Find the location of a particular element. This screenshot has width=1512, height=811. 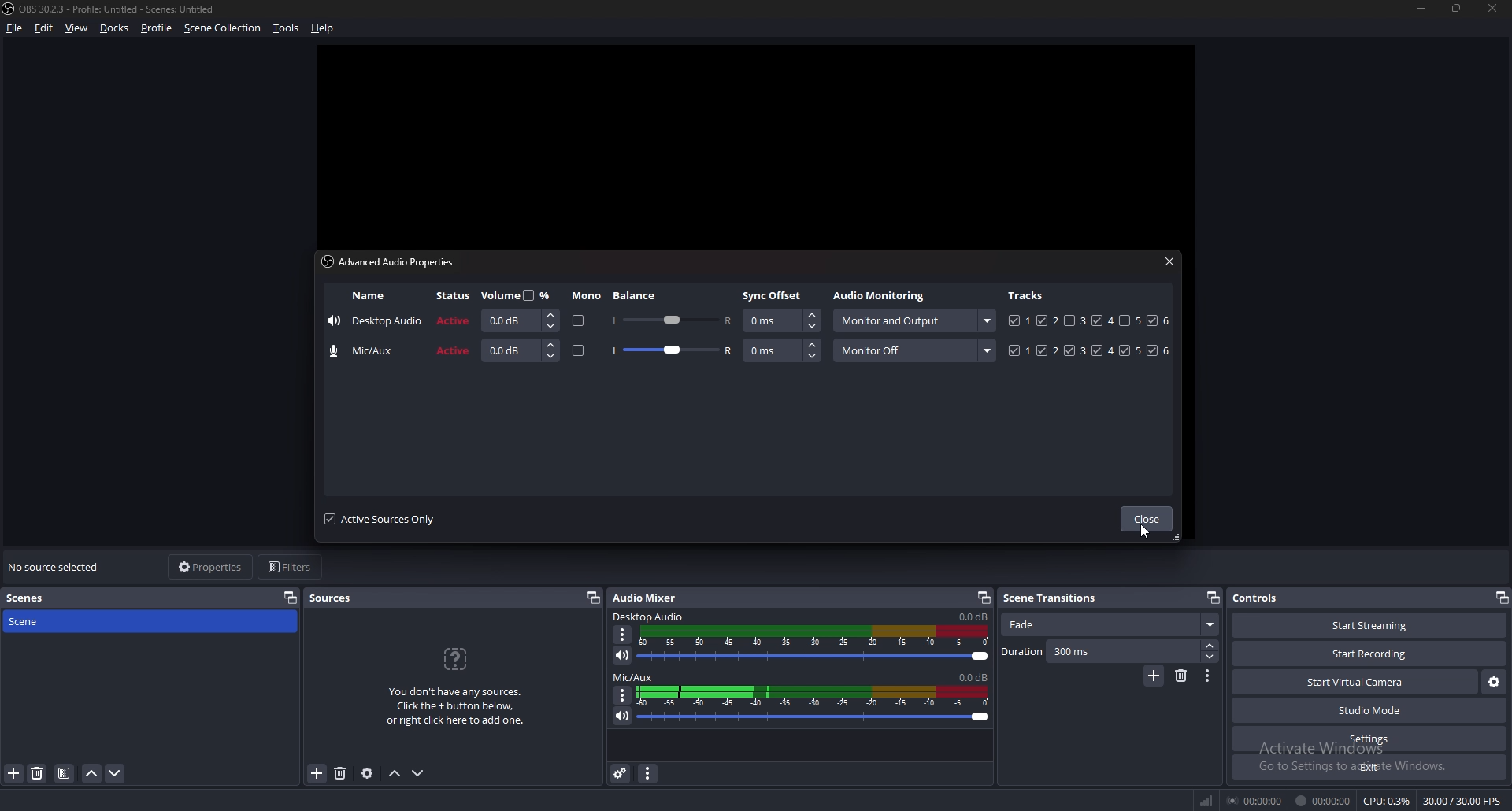

audio mixer menu is located at coordinates (650, 774).